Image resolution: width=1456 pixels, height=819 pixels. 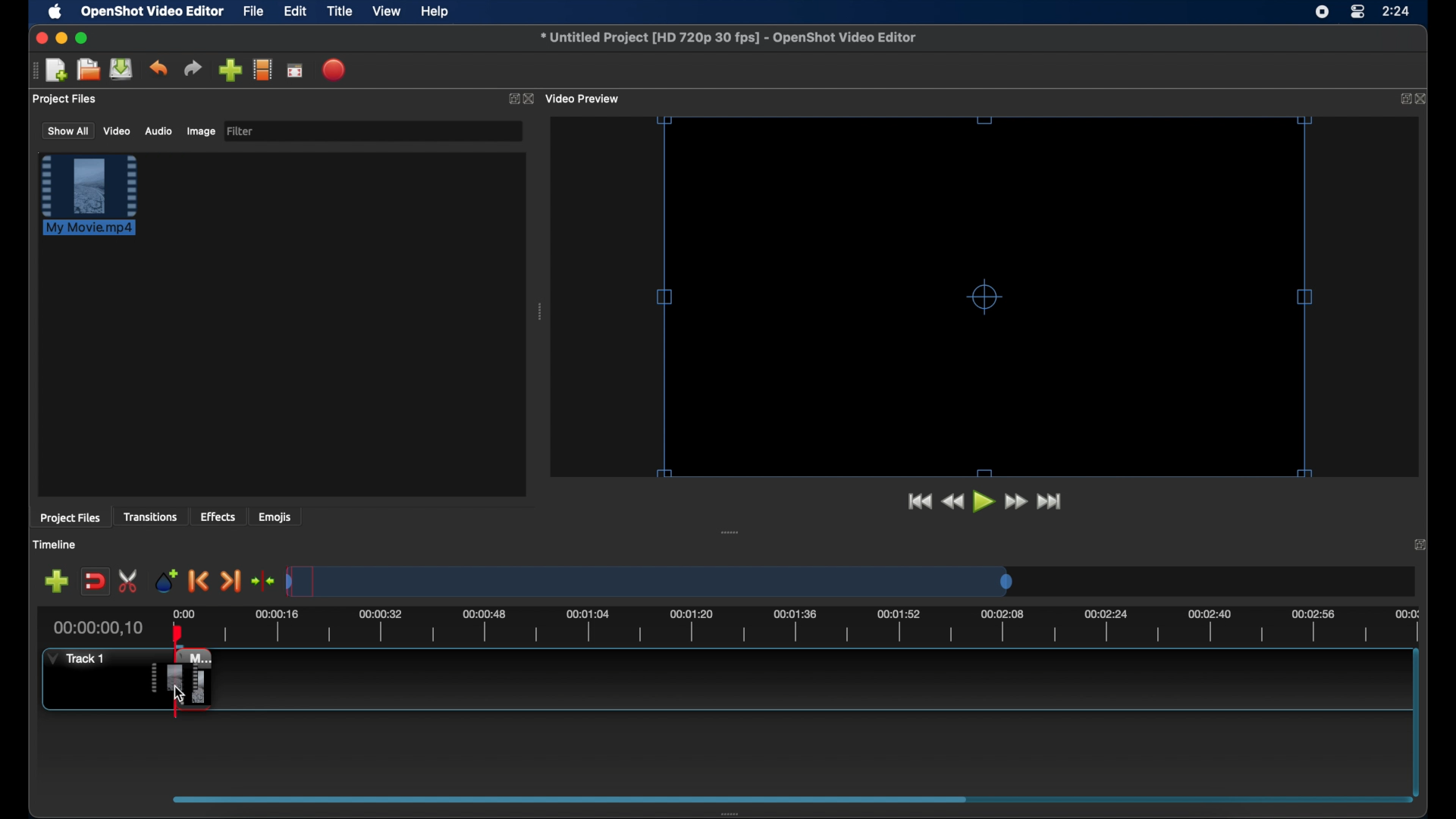 I want to click on track 1, so click(x=74, y=660).